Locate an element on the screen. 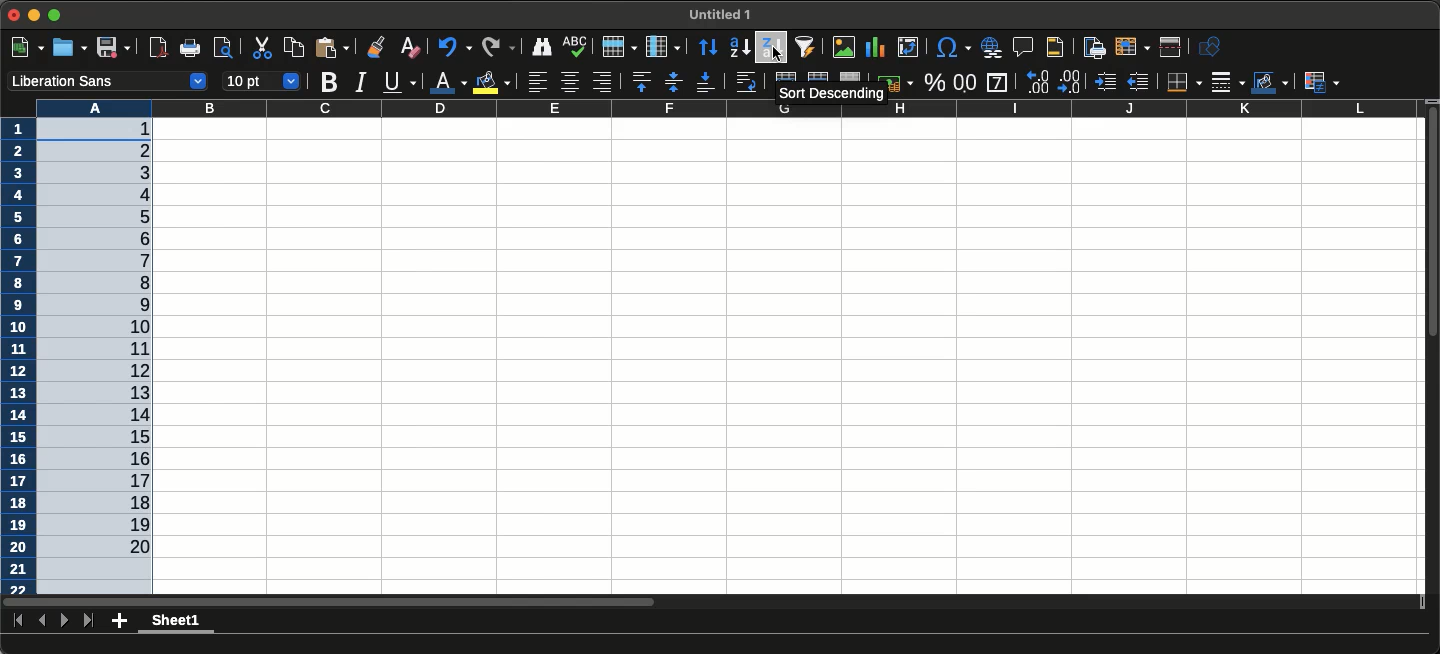 Image resolution: width=1440 pixels, height=654 pixels. Close is located at coordinates (16, 16).